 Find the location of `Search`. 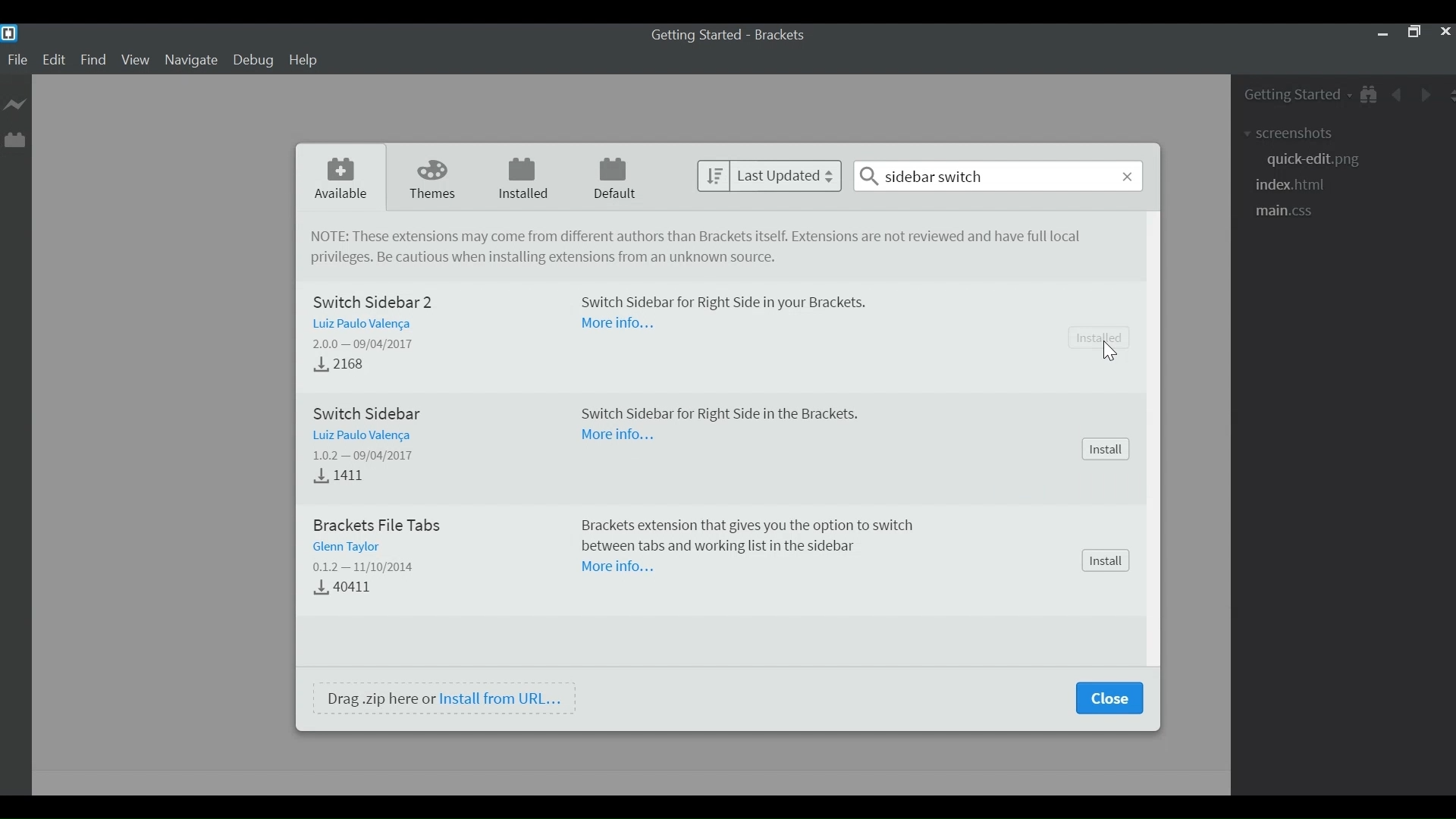

Search is located at coordinates (998, 175).